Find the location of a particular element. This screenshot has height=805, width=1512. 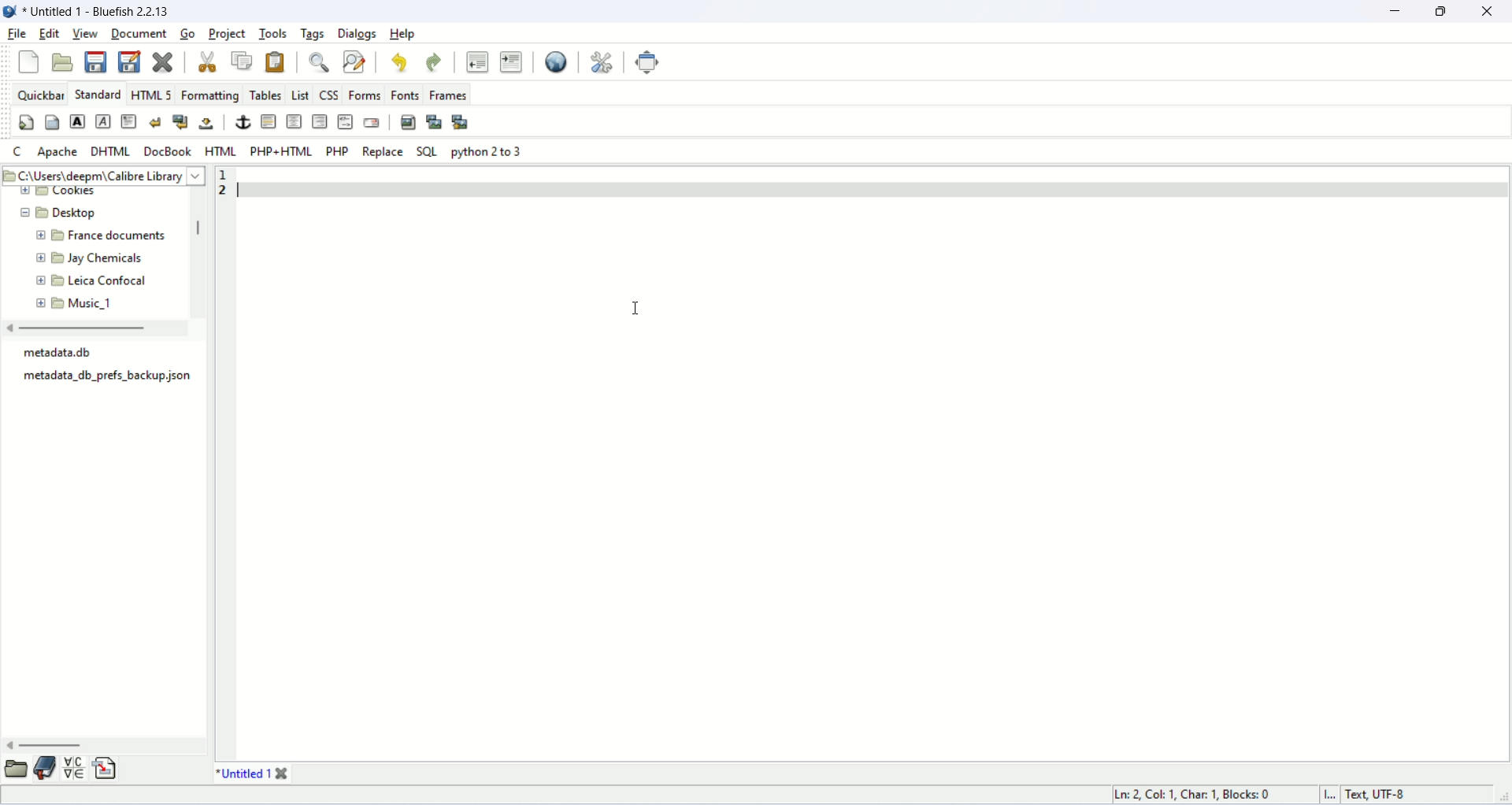

snippets is located at coordinates (106, 769).